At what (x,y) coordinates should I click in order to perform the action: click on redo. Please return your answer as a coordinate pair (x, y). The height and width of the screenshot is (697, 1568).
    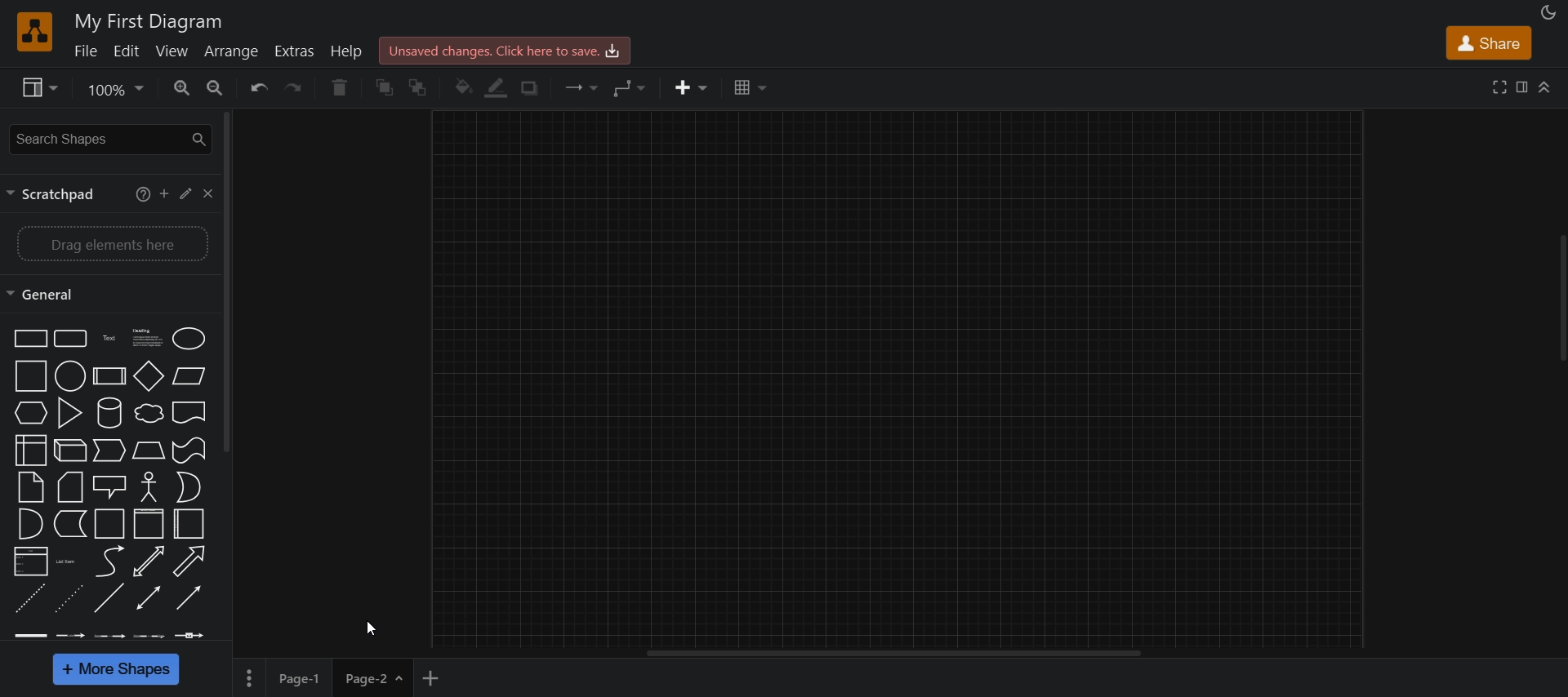
    Looking at the image, I should click on (300, 88).